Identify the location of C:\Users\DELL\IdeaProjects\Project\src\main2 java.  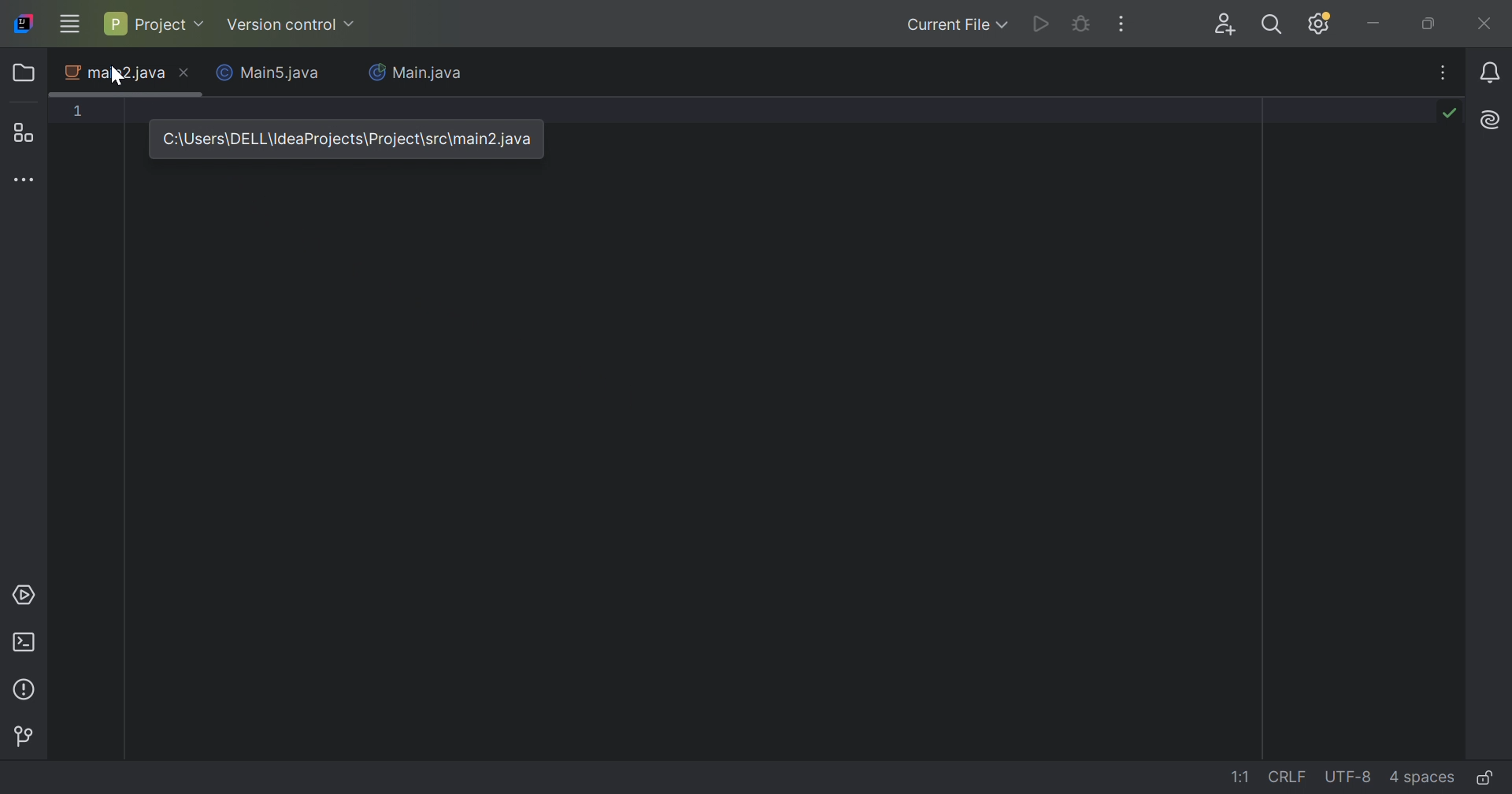
(347, 139).